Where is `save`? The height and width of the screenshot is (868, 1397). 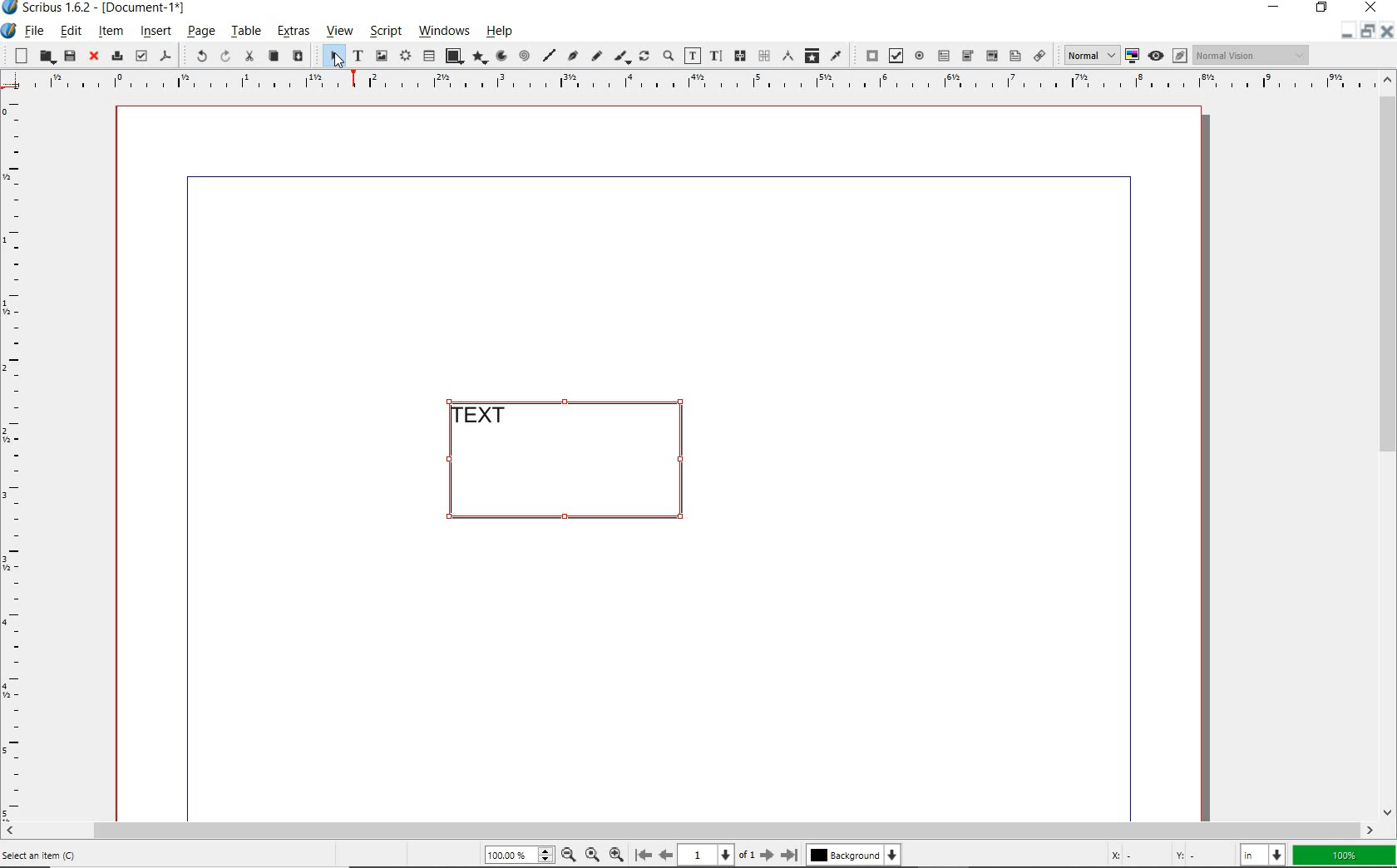 save is located at coordinates (68, 56).